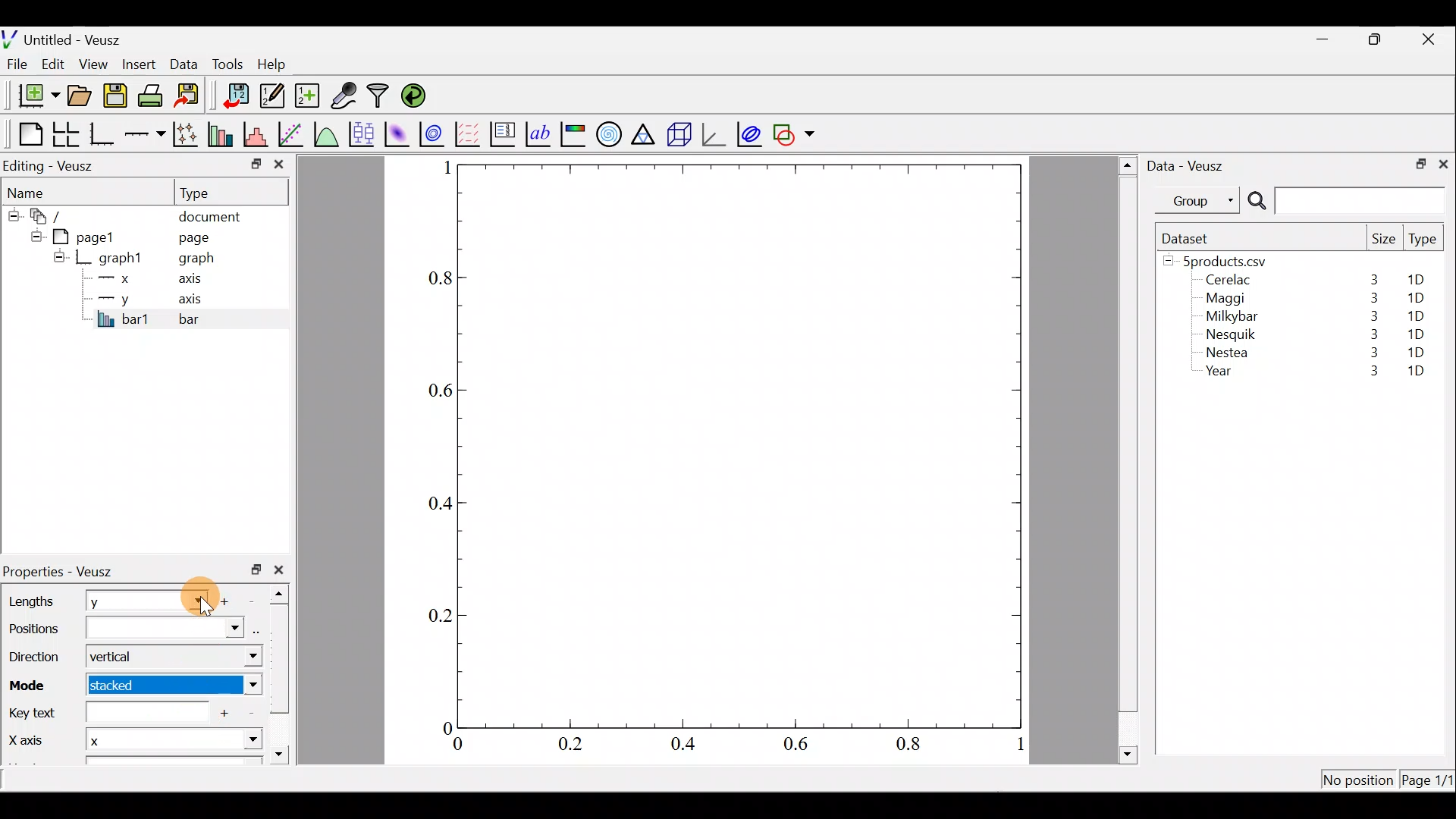 The height and width of the screenshot is (819, 1456). Describe the element at coordinates (279, 168) in the screenshot. I see `close` at that location.